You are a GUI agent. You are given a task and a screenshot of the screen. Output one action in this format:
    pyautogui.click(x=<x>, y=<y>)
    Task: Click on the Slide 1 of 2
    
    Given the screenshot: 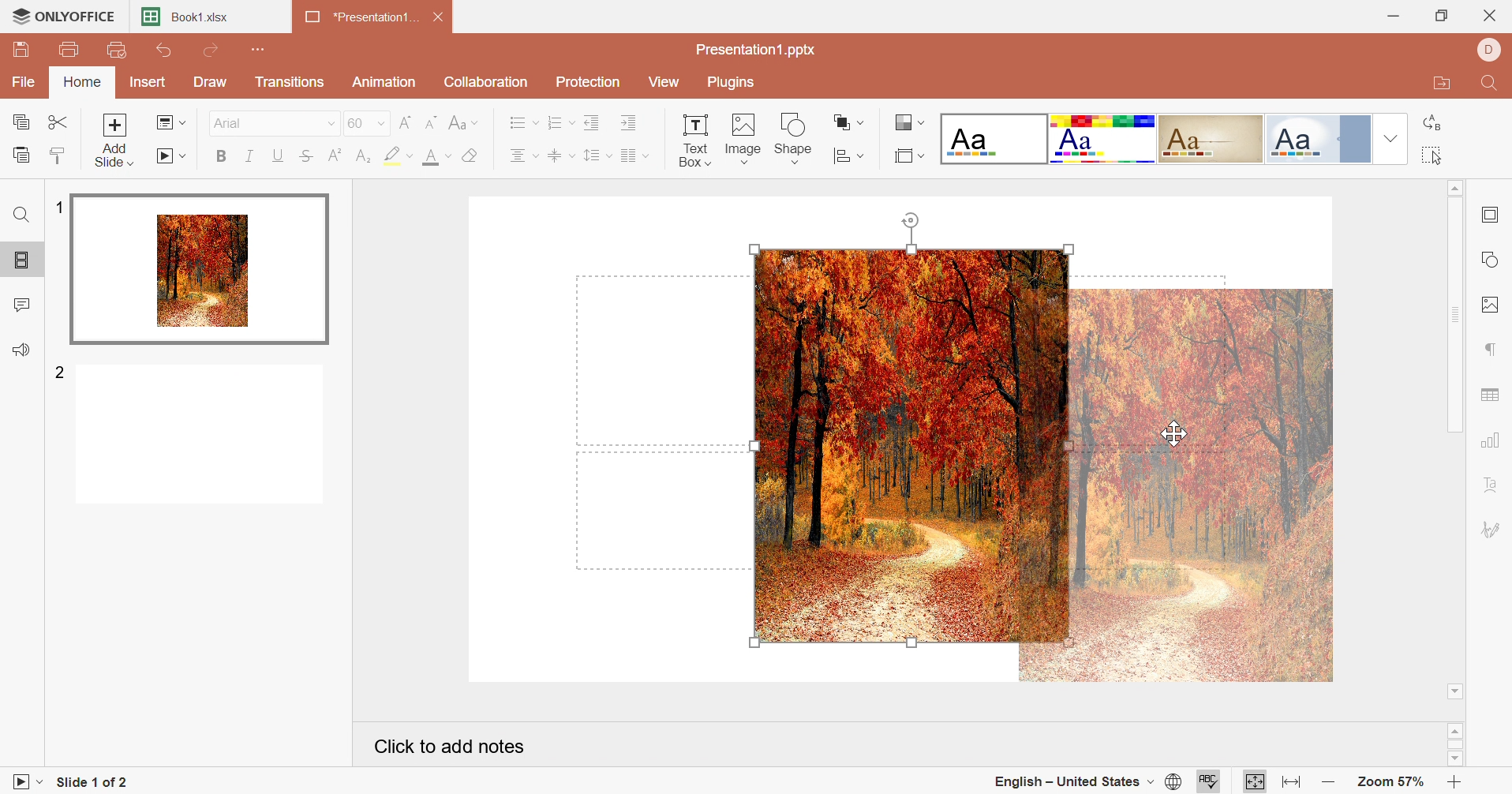 What is the action you would take?
    pyautogui.click(x=98, y=783)
    